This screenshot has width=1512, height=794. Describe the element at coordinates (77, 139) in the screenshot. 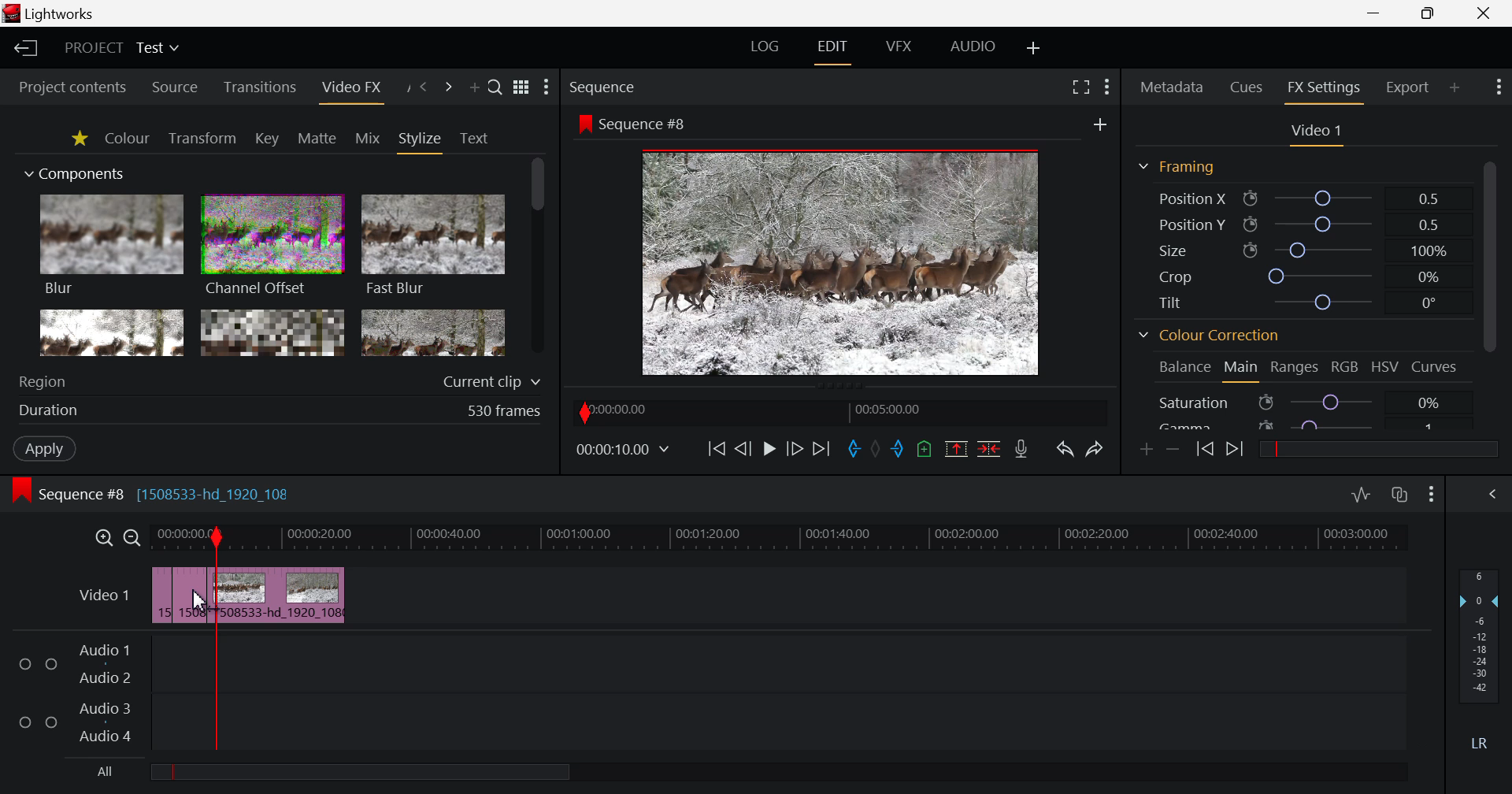

I see `Favorites` at that location.